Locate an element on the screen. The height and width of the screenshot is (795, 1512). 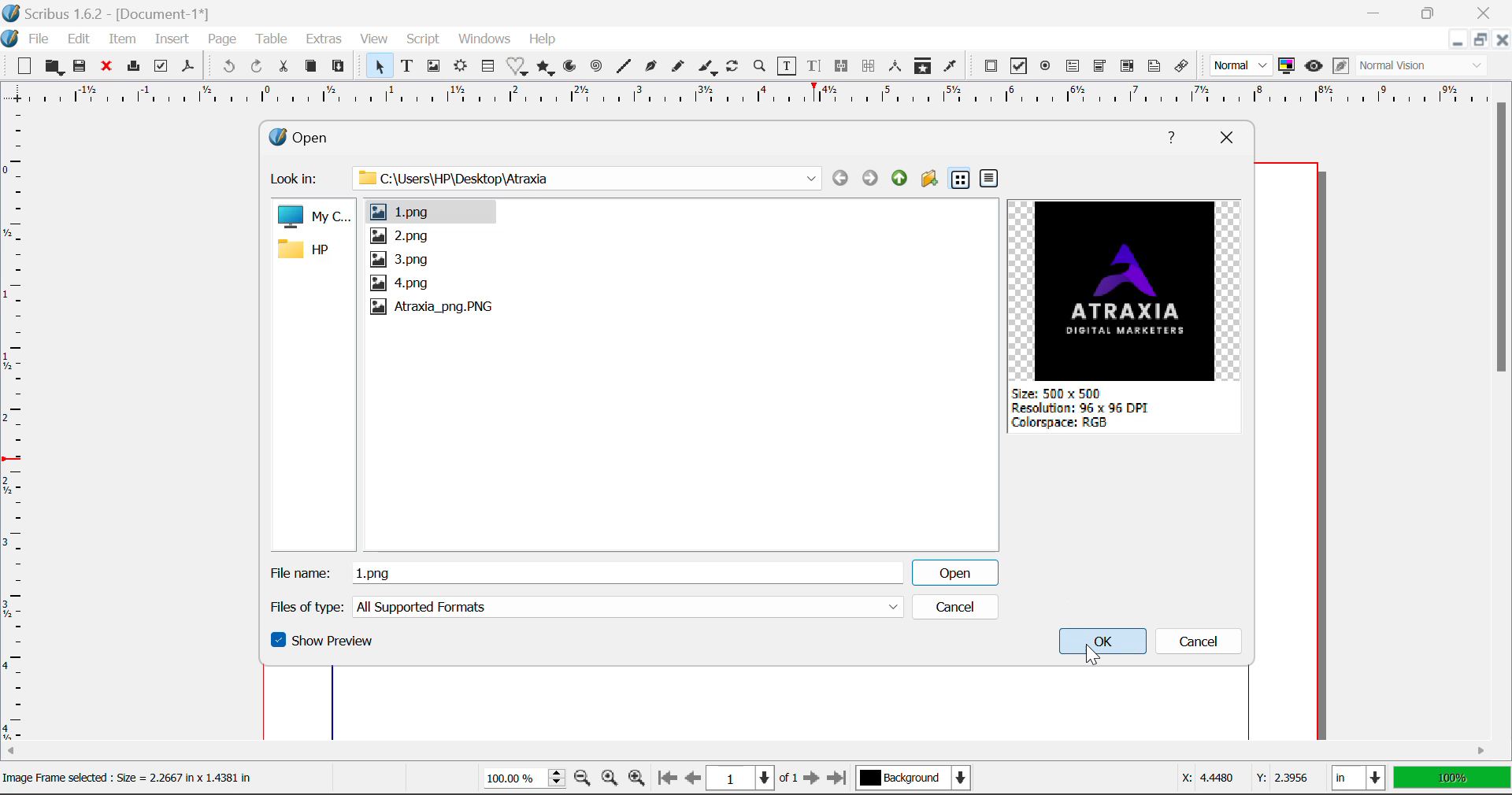
Image Frames is located at coordinates (433, 66).